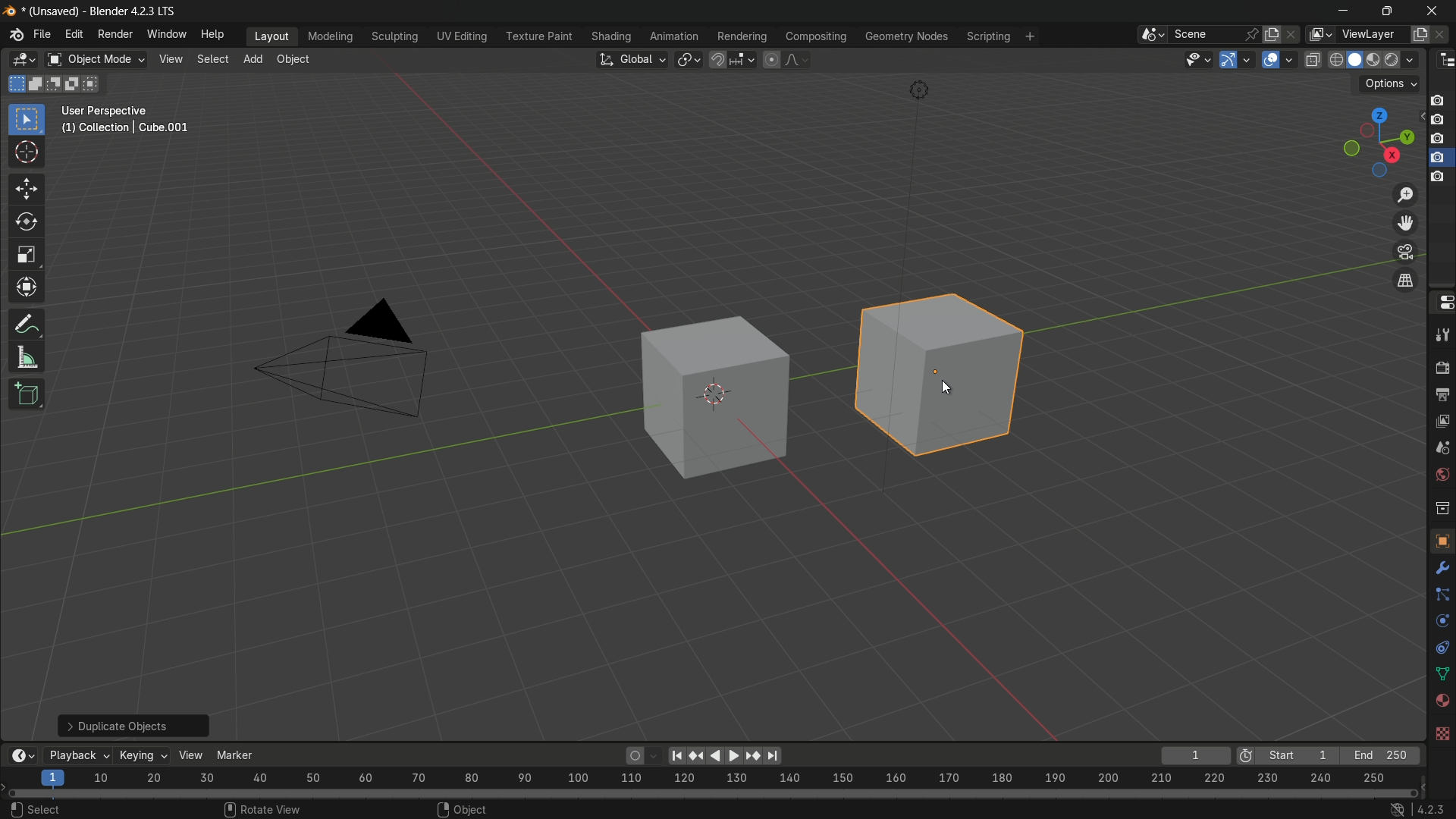 This screenshot has height=819, width=1456. I want to click on selectability and visibility, so click(1198, 60).